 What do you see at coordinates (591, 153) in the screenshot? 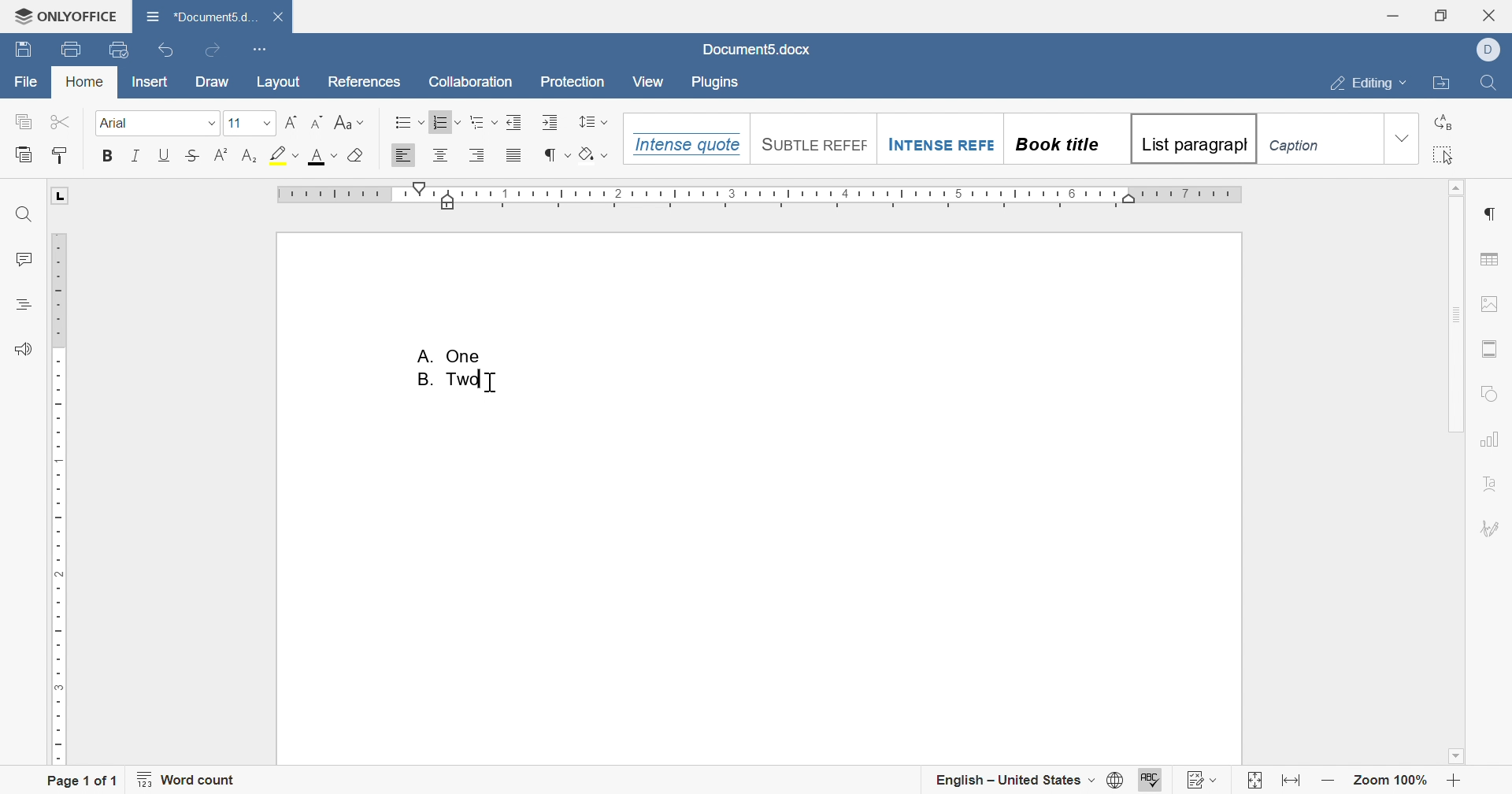
I see `shading` at bounding box center [591, 153].